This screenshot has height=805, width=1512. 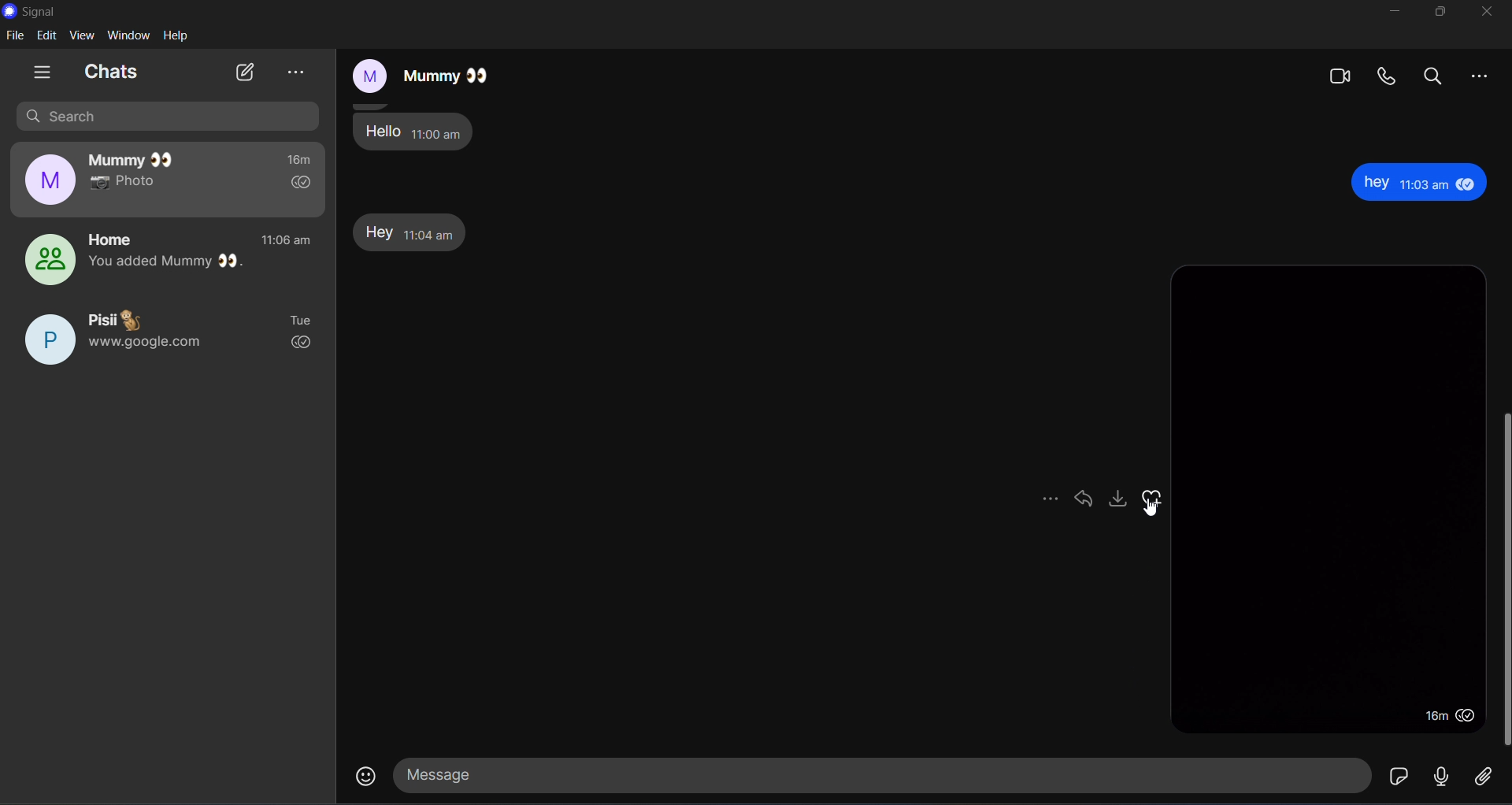 I want to click on emojis, so click(x=365, y=775).